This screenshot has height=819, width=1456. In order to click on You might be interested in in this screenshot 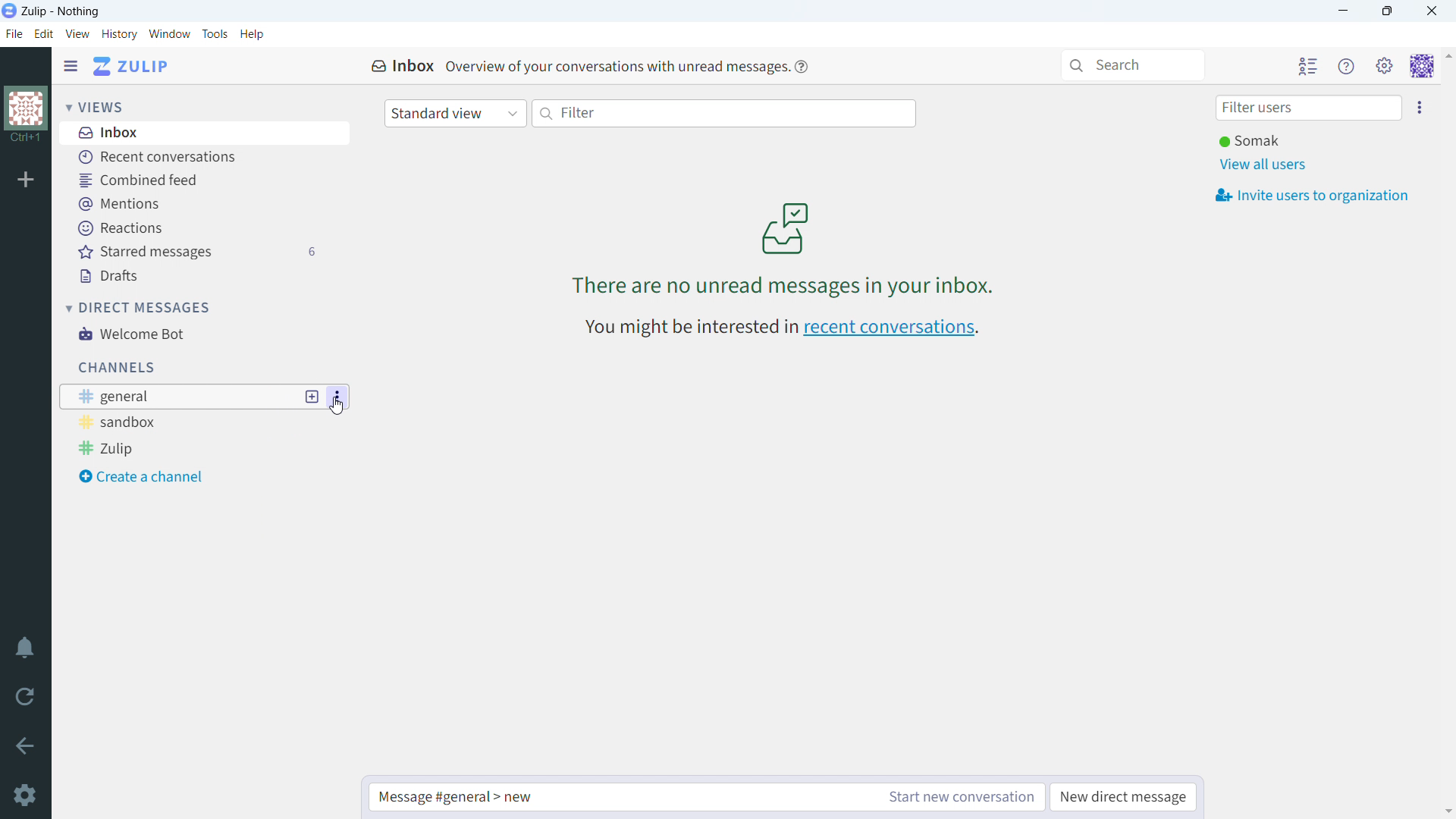, I will do `click(689, 328)`.